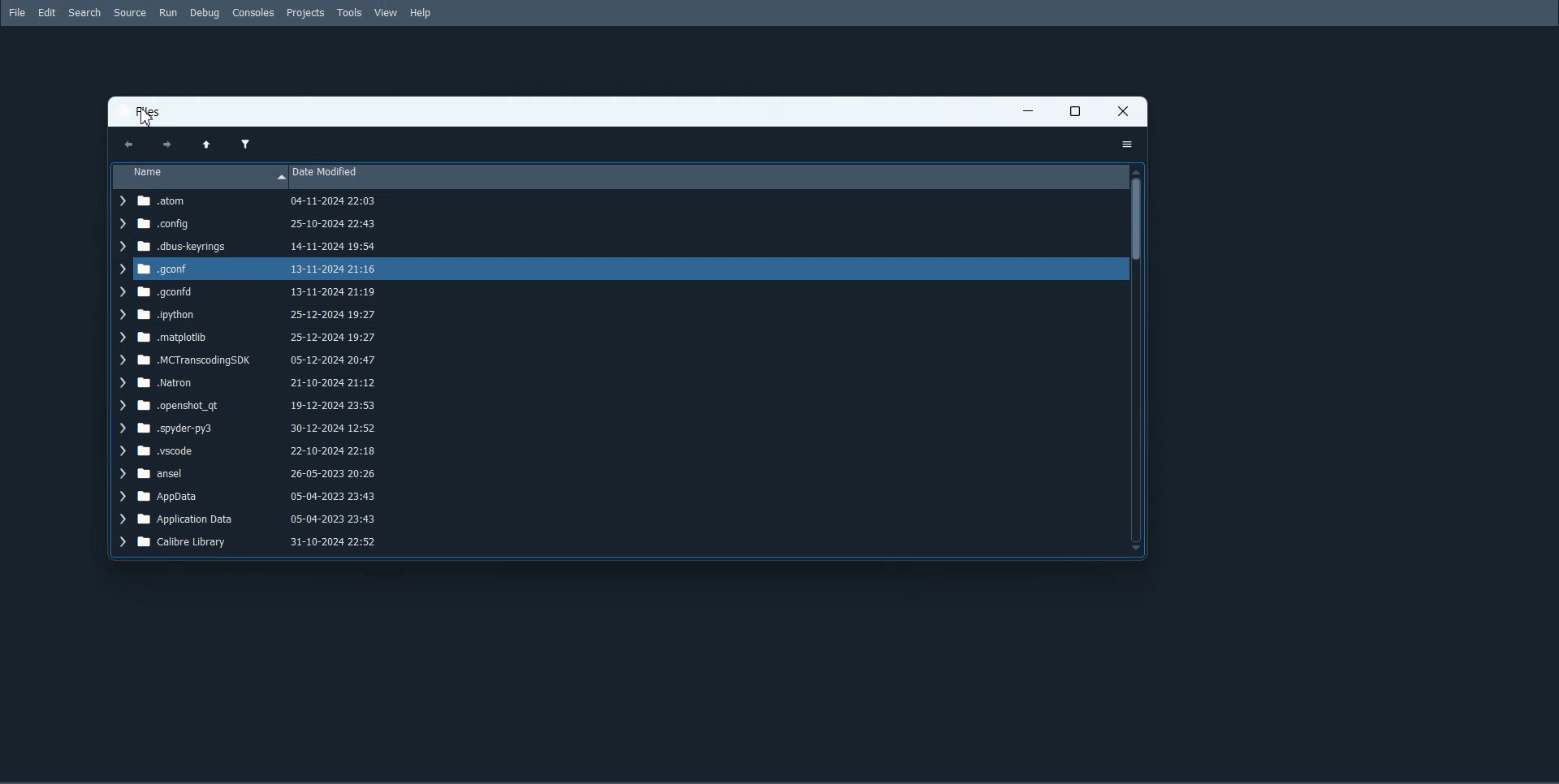 The height and width of the screenshot is (784, 1559). What do you see at coordinates (1122, 111) in the screenshot?
I see `Close` at bounding box center [1122, 111].